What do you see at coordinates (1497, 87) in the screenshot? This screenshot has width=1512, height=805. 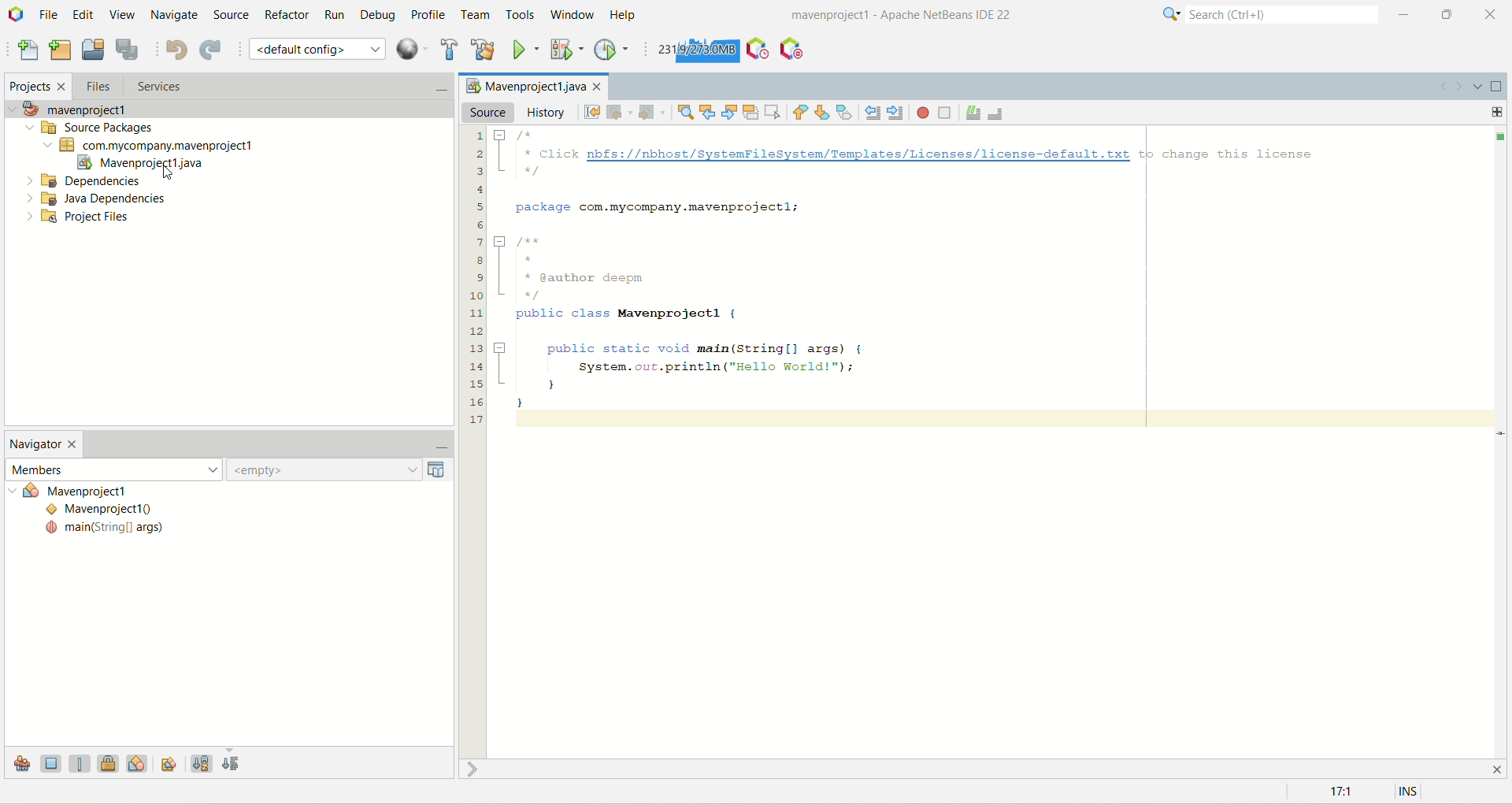 I see `maximize` at bounding box center [1497, 87].